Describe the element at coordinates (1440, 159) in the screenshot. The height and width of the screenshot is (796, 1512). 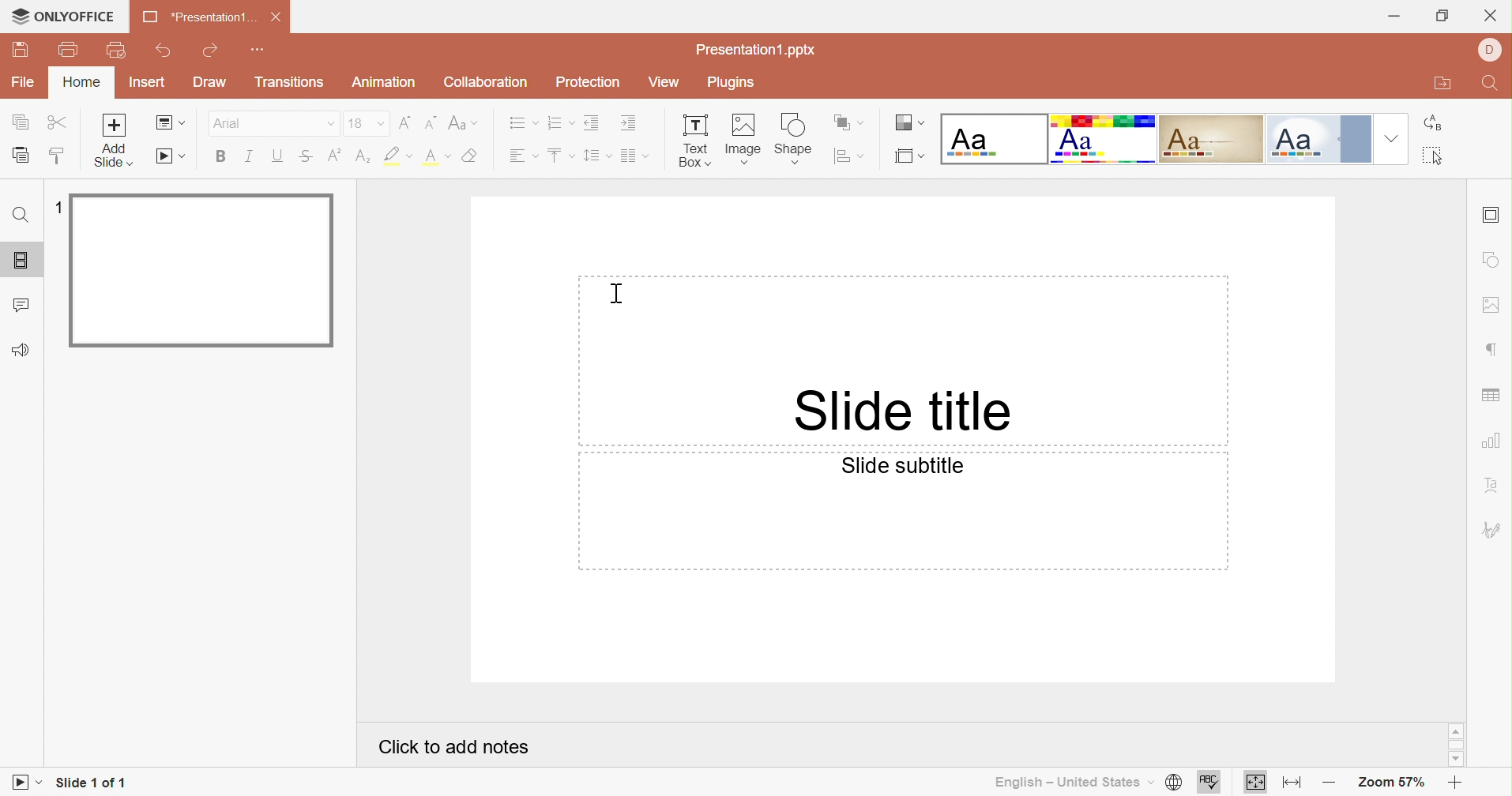
I see `Select all` at that location.